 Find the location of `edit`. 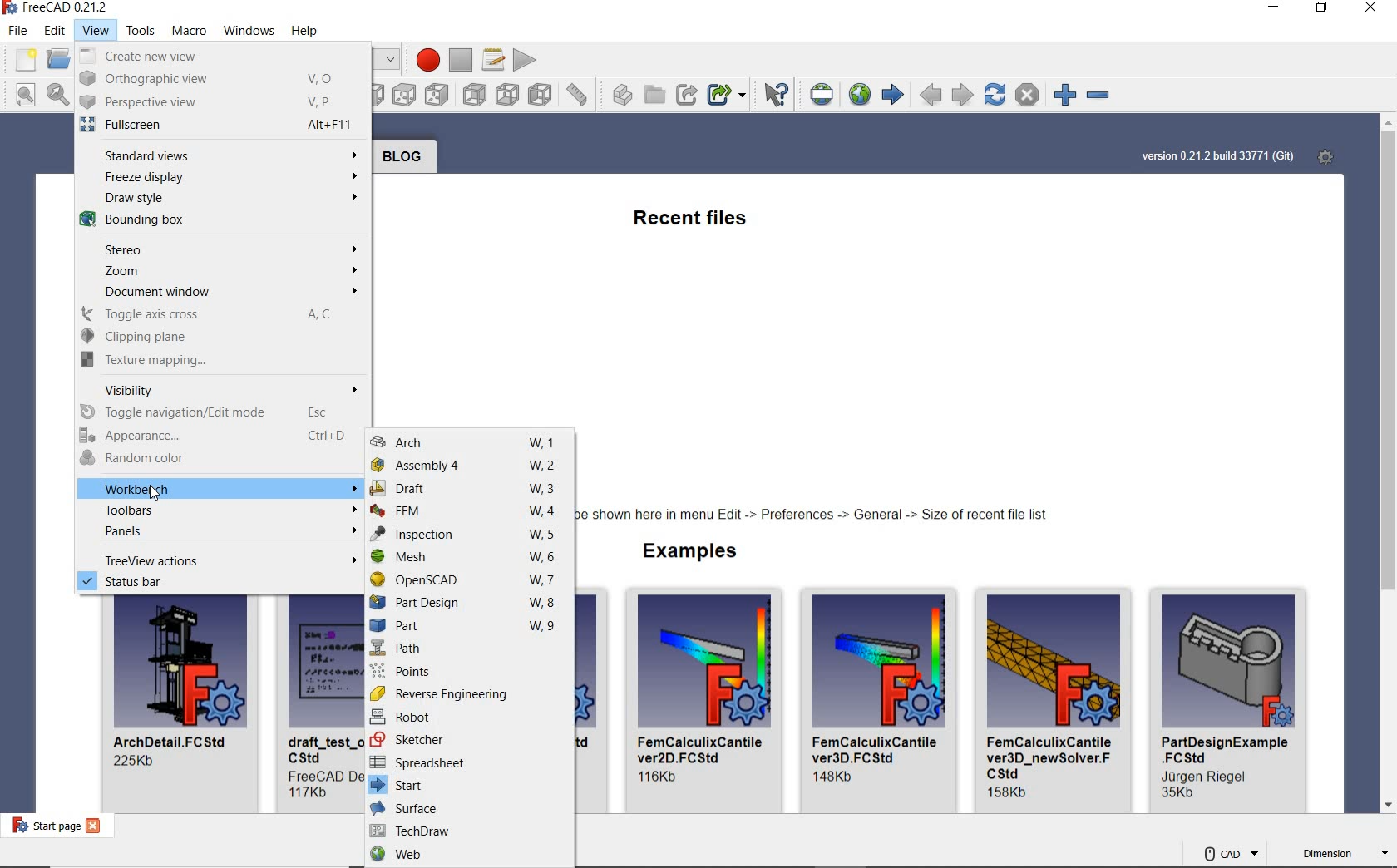

edit is located at coordinates (56, 32).